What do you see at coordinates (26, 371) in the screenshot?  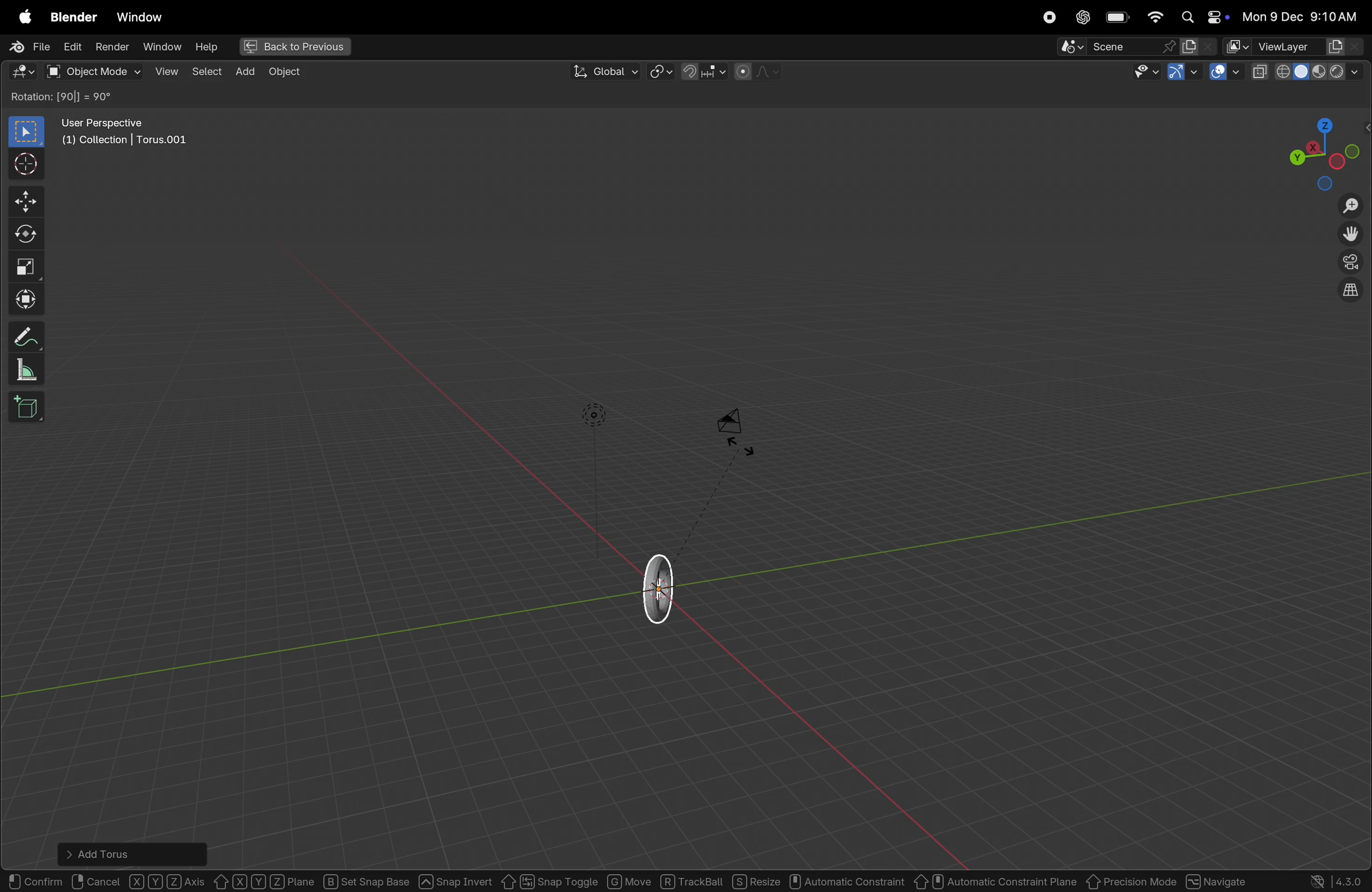 I see `measure` at bounding box center [26, 371].